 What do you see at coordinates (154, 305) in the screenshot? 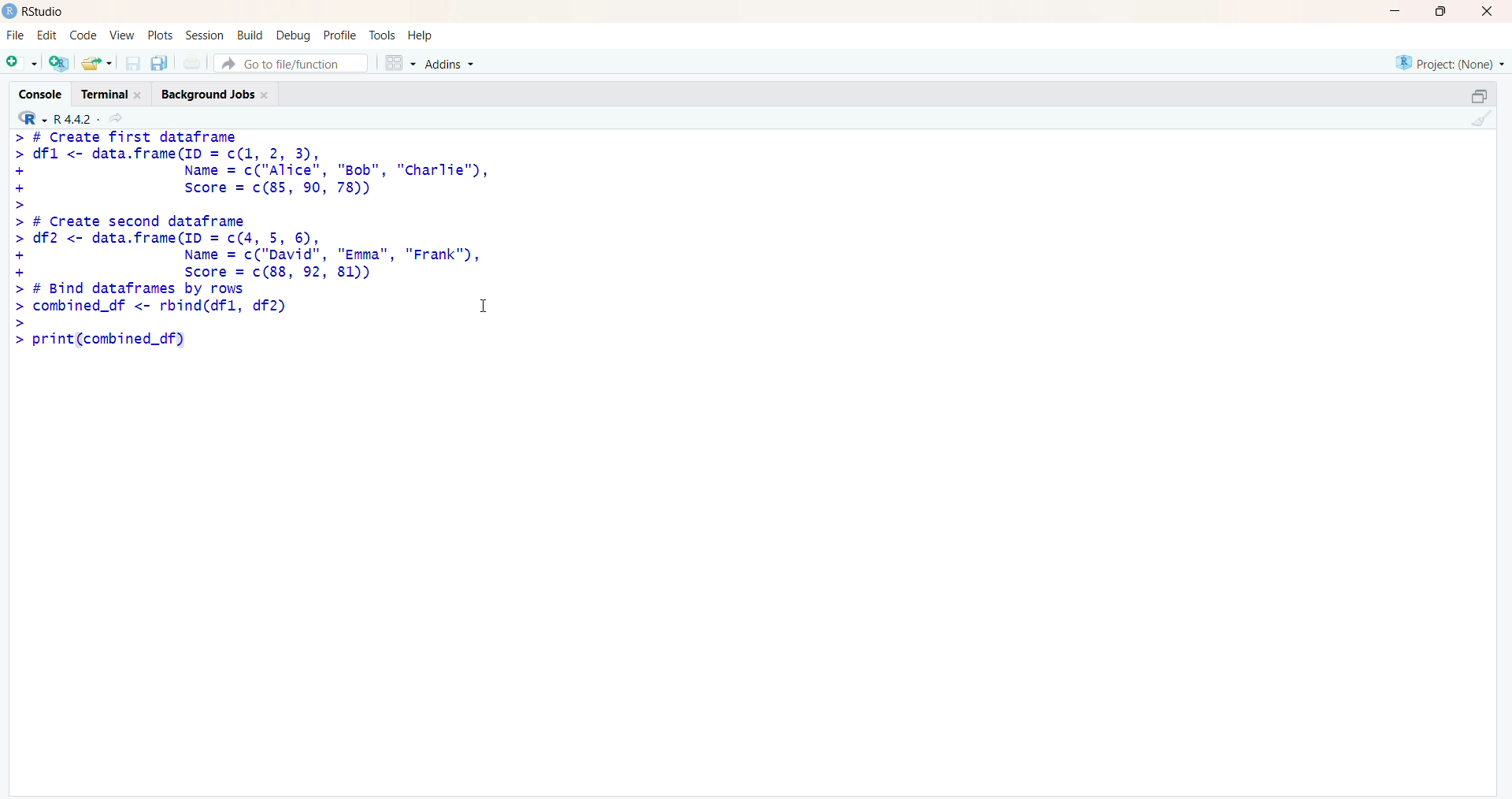
I see `# Bind dataframes by rows
combined_df <- rbind(dfl, df2)` at bounding box center [154, 305].